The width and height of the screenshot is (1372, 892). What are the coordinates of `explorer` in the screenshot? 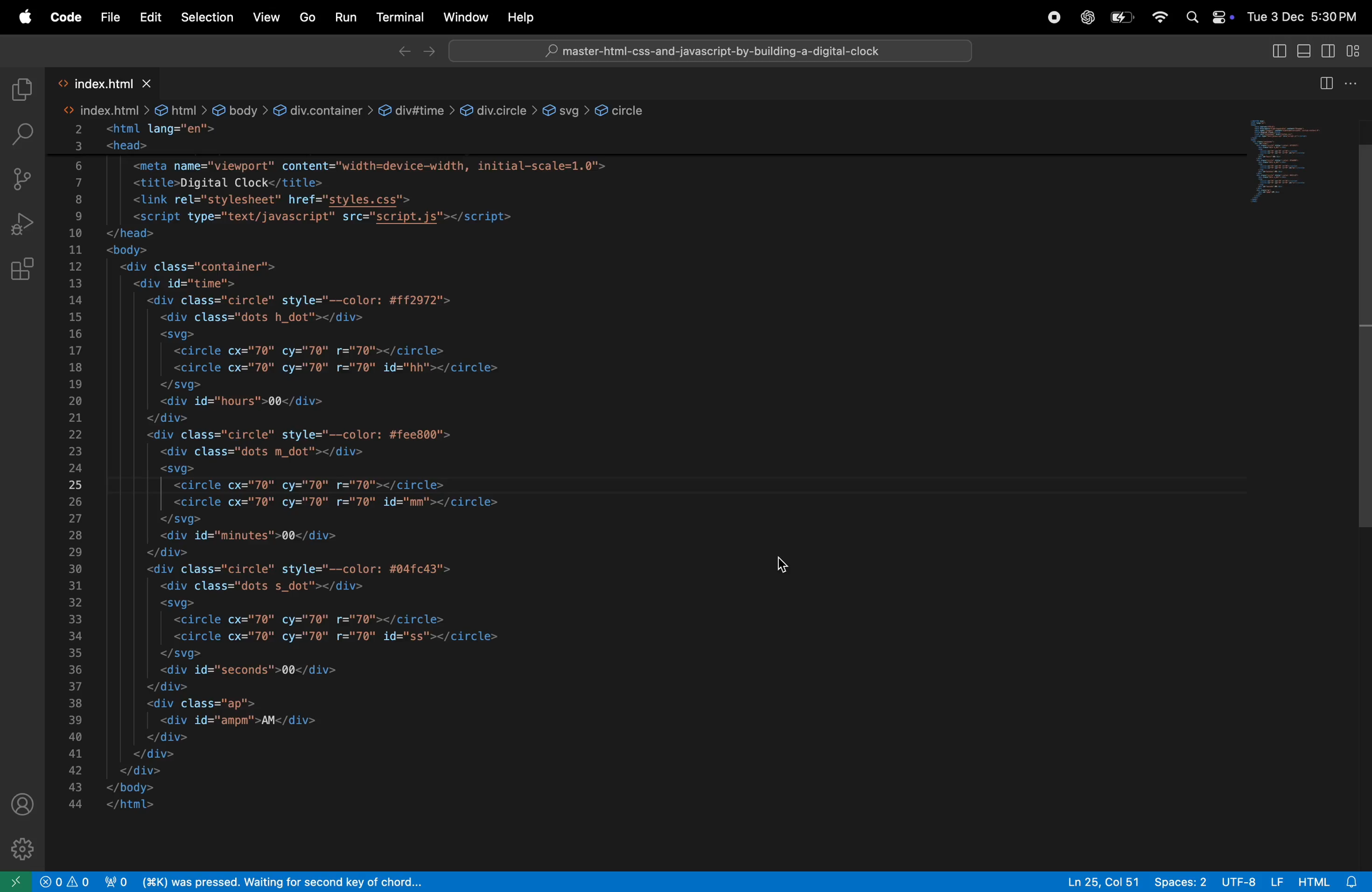 It's located at (20, 87).